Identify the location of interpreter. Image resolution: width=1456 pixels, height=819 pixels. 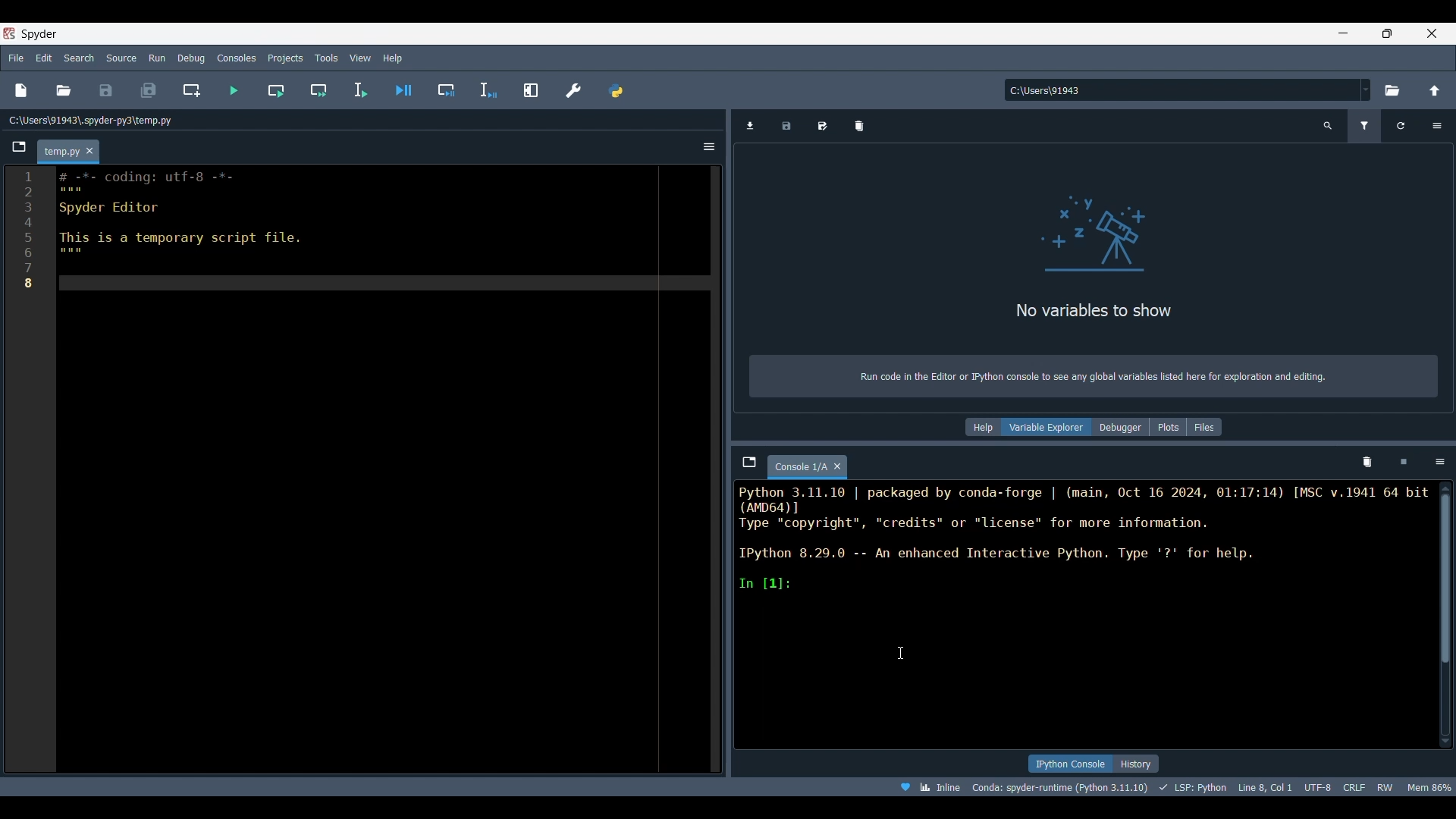
(1061, 787).